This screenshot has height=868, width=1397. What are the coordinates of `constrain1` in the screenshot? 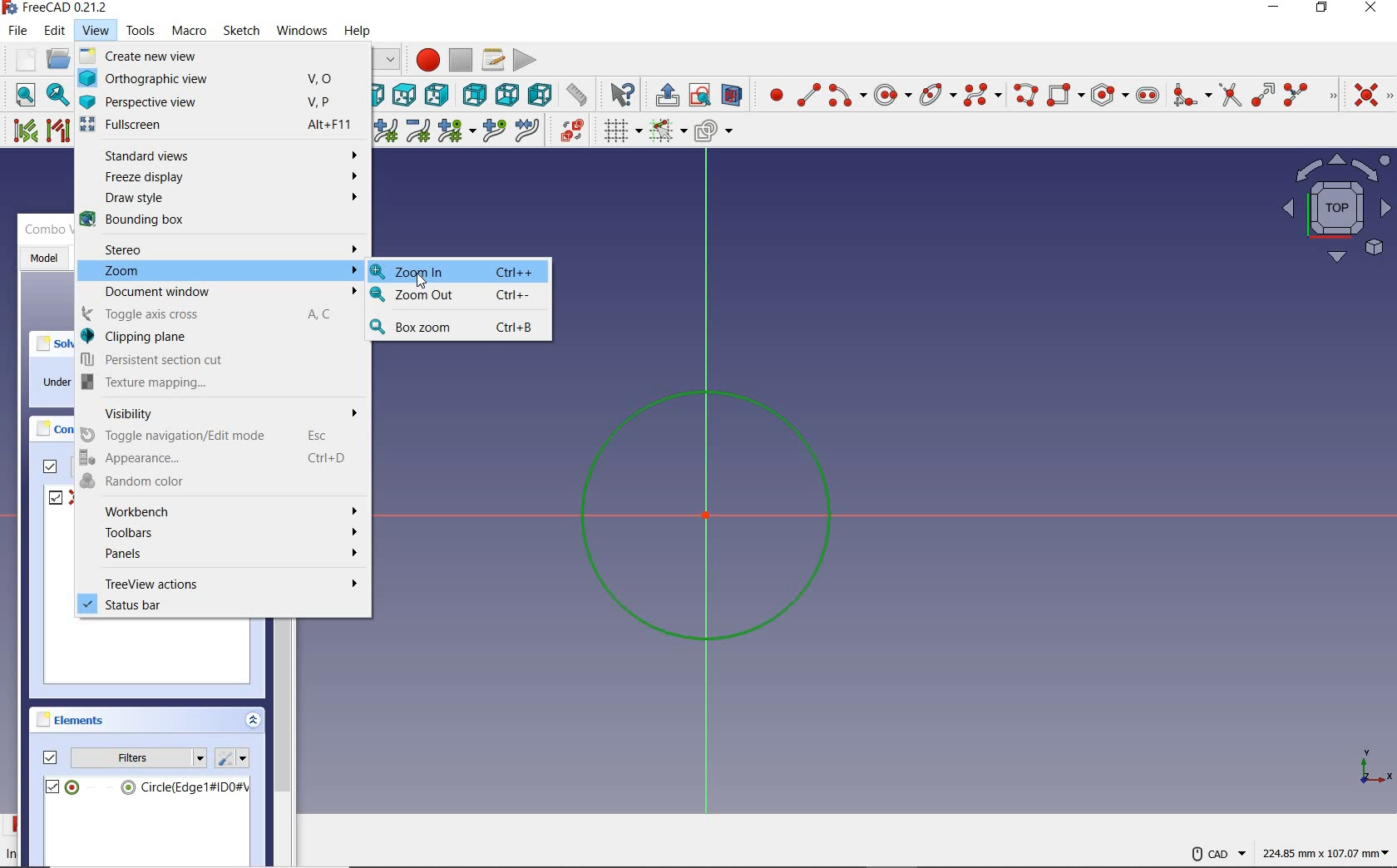 It's located at (58, 496).